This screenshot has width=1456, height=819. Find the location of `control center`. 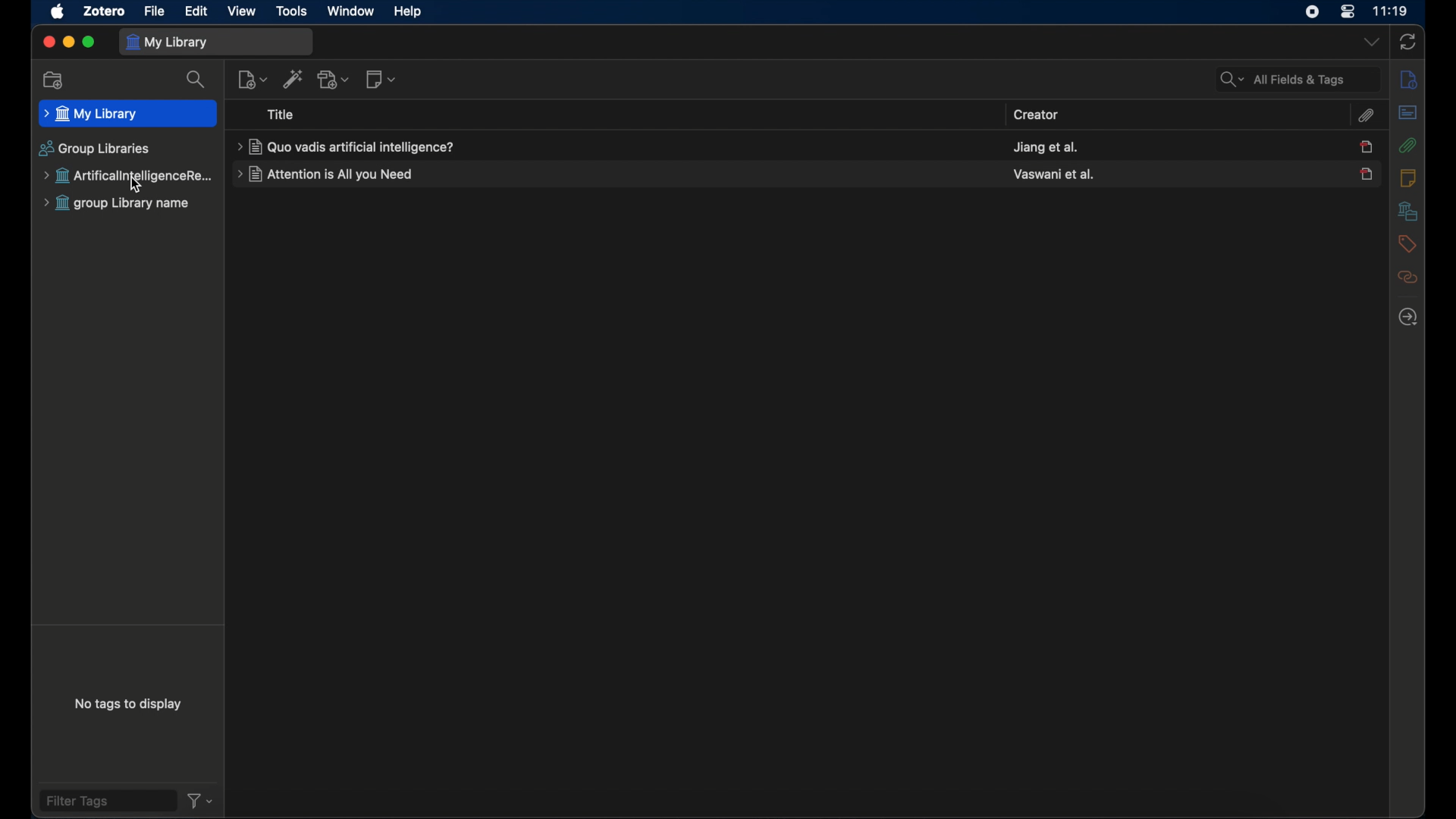

control center is located at coordinates (1348, 11).